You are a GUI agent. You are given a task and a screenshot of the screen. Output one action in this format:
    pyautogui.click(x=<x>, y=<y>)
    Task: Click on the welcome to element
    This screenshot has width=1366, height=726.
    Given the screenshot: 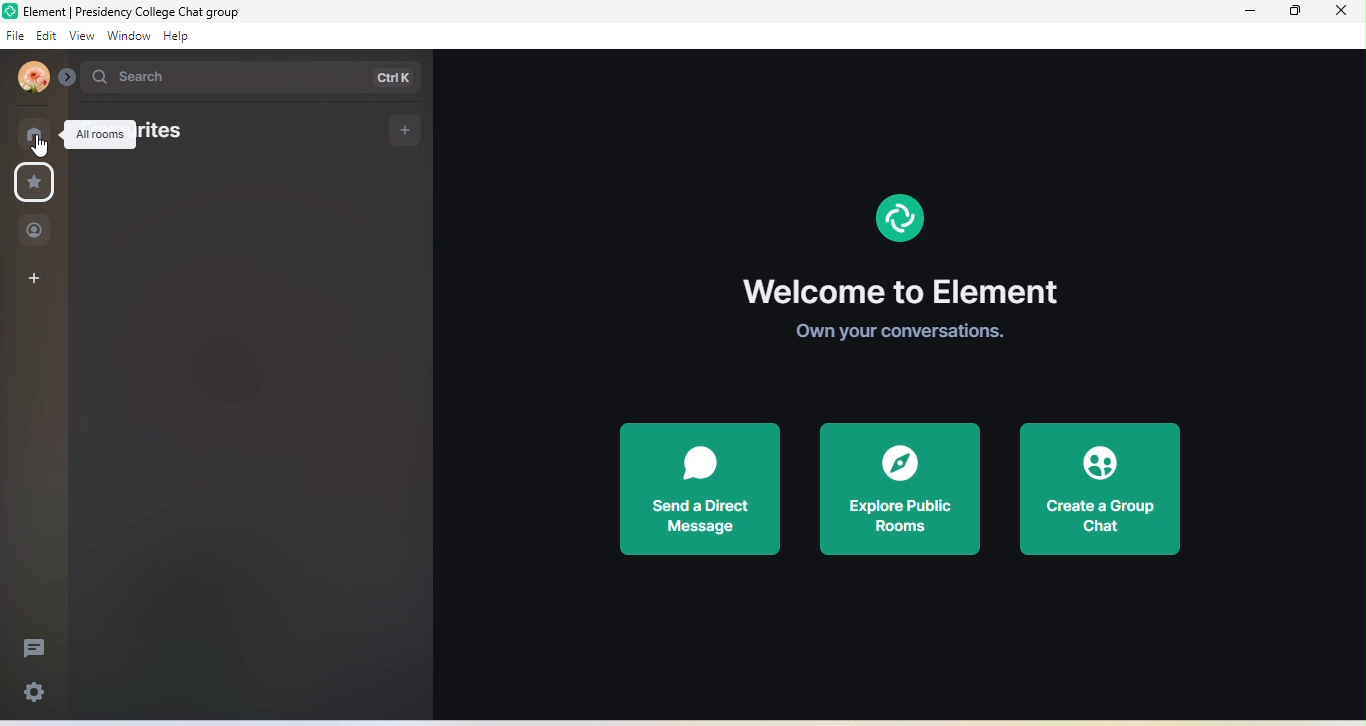 What is the action you would take?
    pyautogui.click(x=901, y=291)
    